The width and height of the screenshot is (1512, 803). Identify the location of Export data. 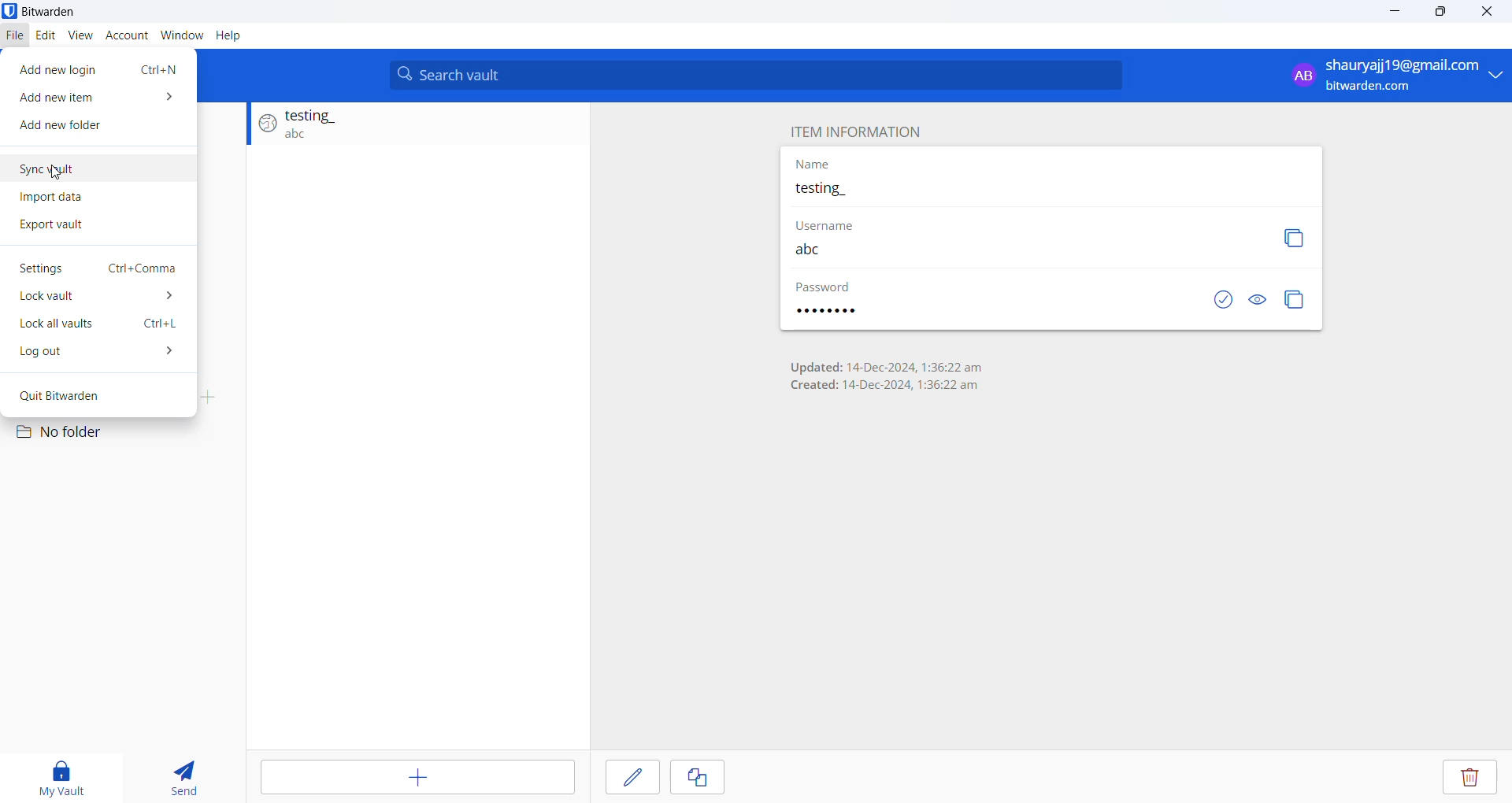
(78, 231).